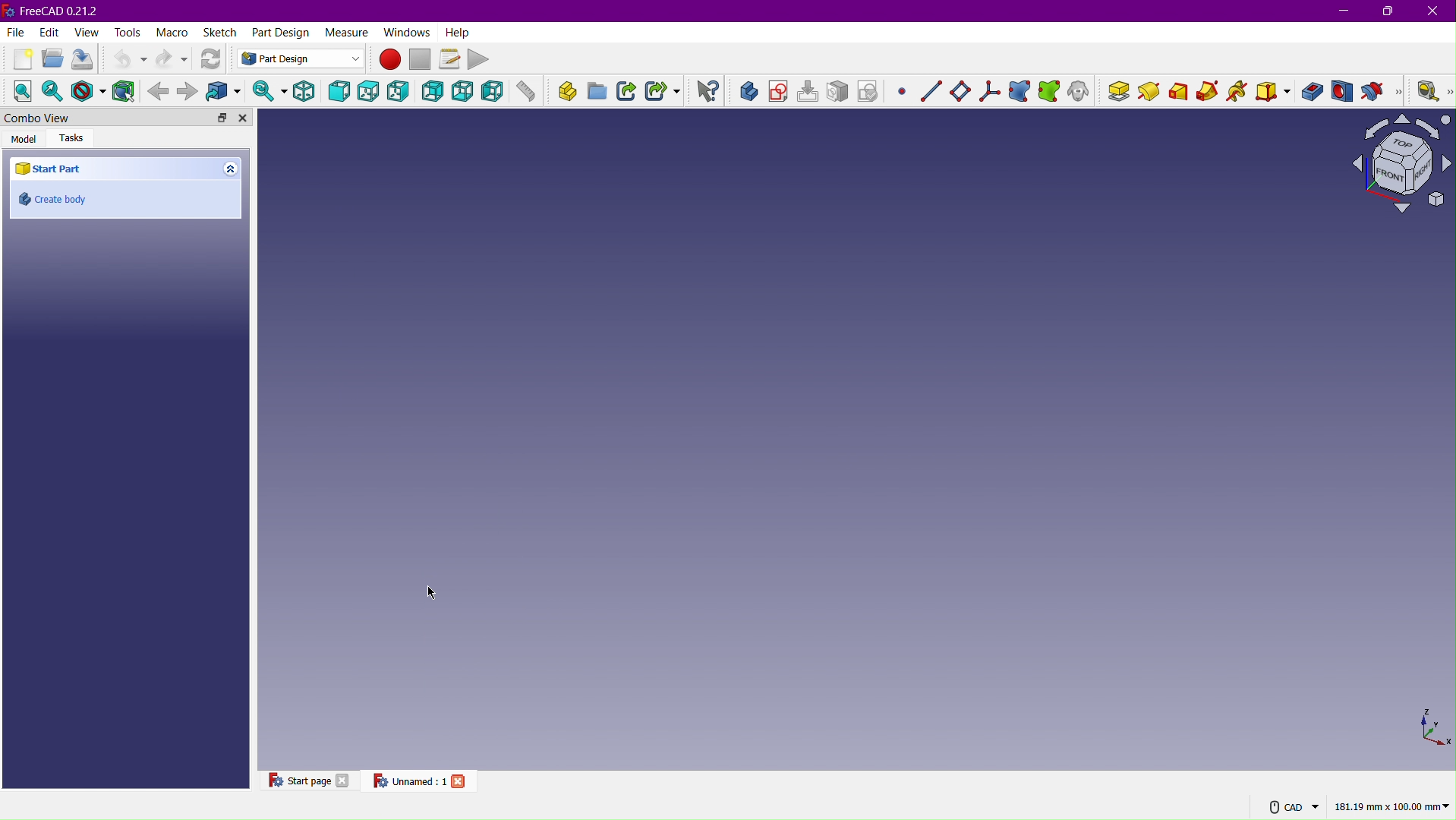 This screenshot has width=1456, height=820. I want to click on Close, so click(246, 119).